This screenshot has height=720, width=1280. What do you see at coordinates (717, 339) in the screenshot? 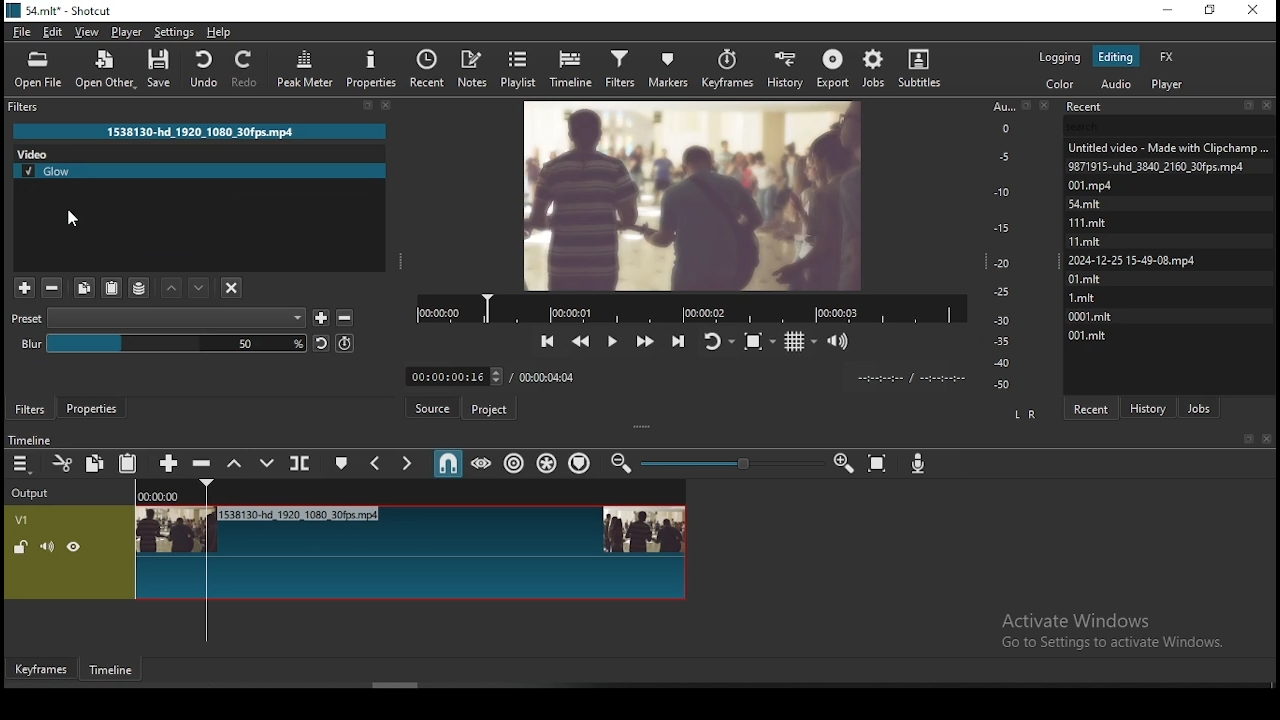
I see `toggle player looping` at bounding box center [717, 339].